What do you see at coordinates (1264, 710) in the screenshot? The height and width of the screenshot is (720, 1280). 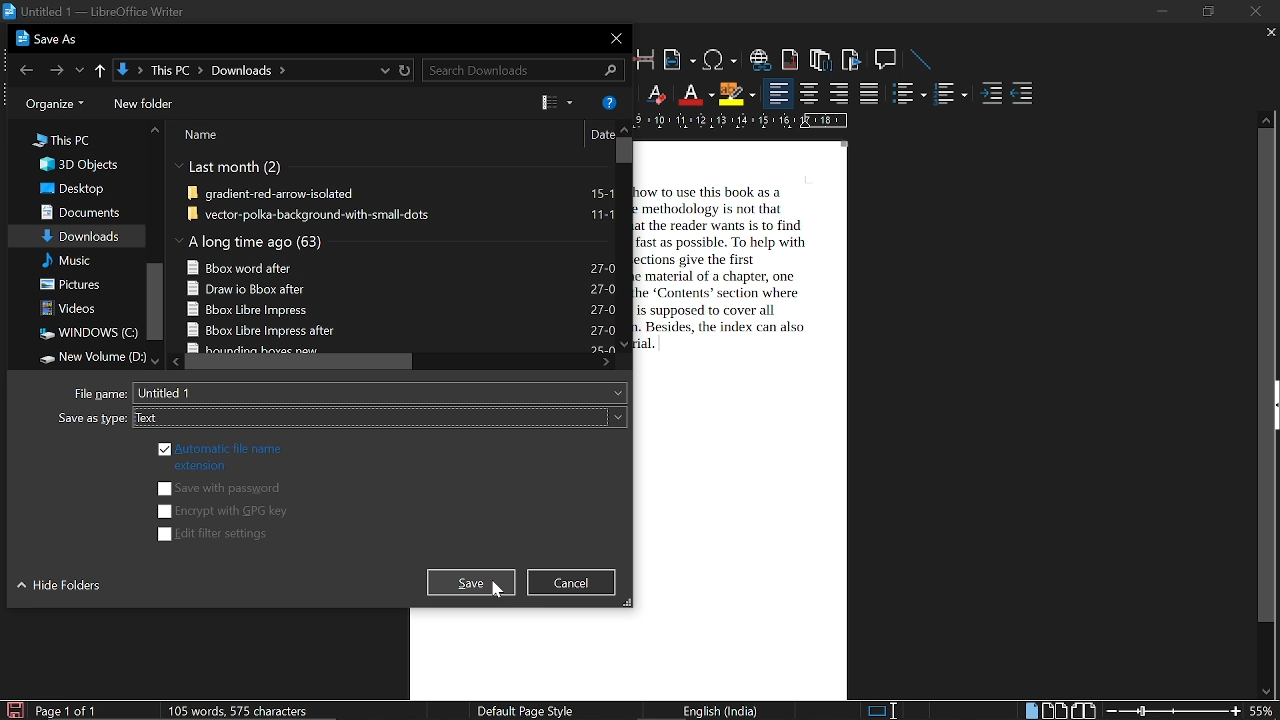 I see `current zoom` at bounding box center [1264, 710].